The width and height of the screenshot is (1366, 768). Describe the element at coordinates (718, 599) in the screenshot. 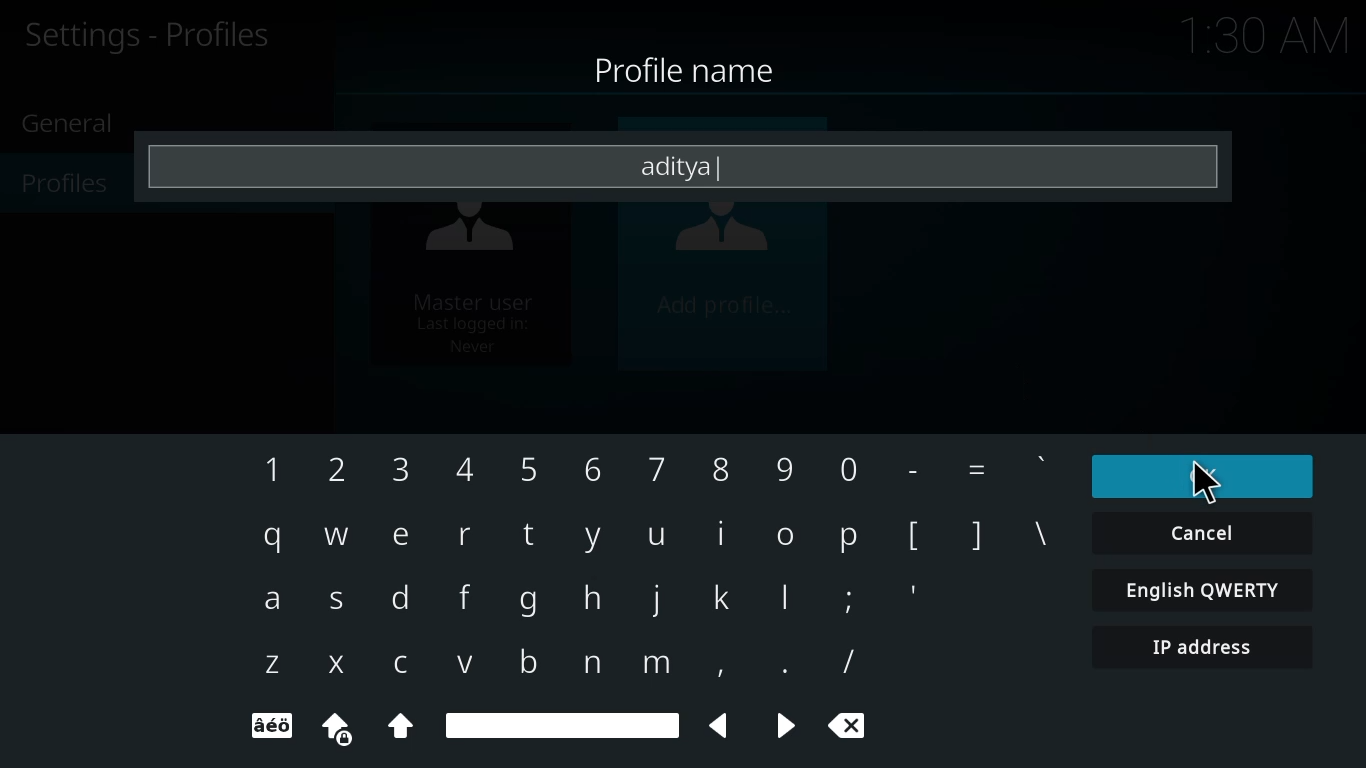

I see `k` at that location.